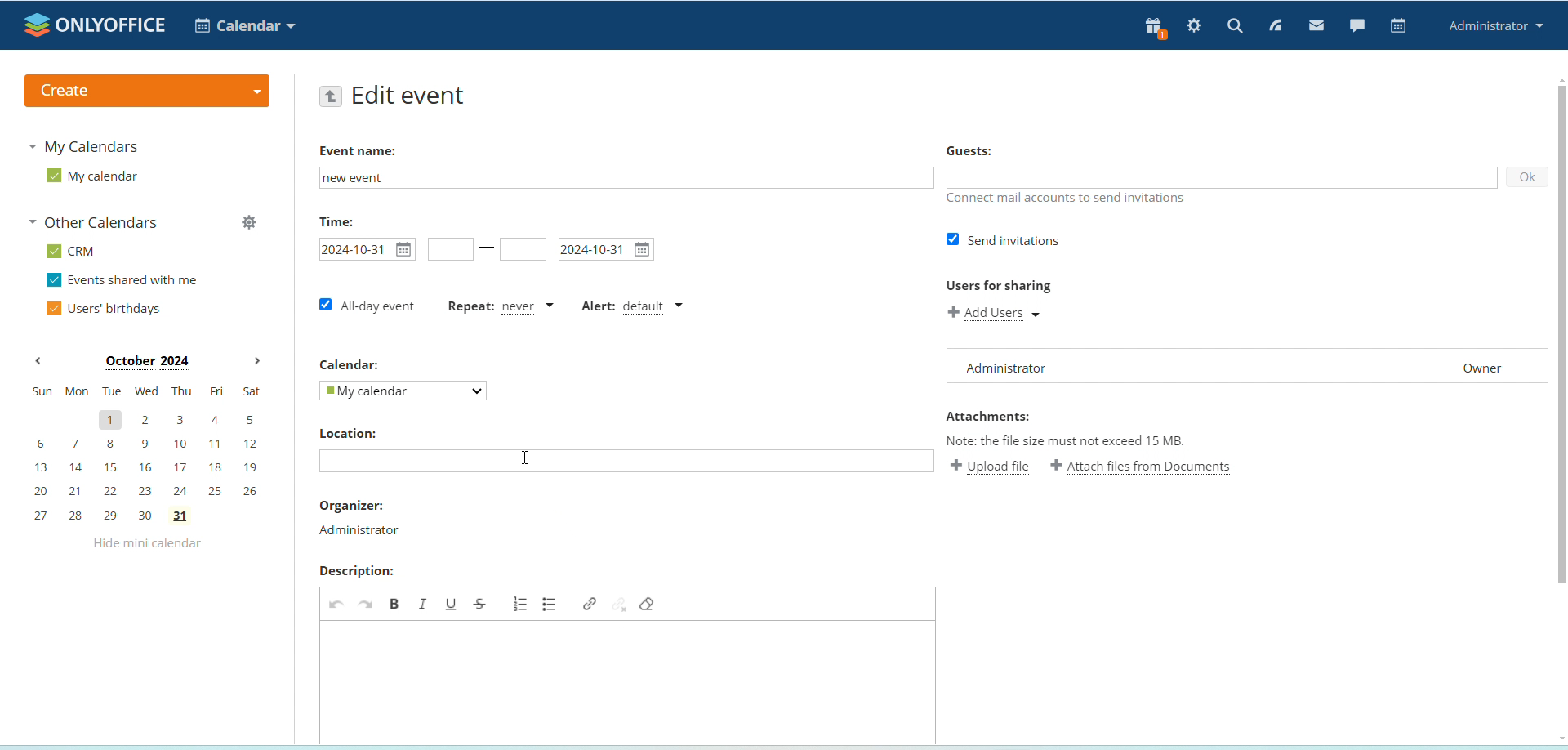 The height and width of the screenshot is (750, 1568). I want to click on Scroll down, so click(1558, 739).